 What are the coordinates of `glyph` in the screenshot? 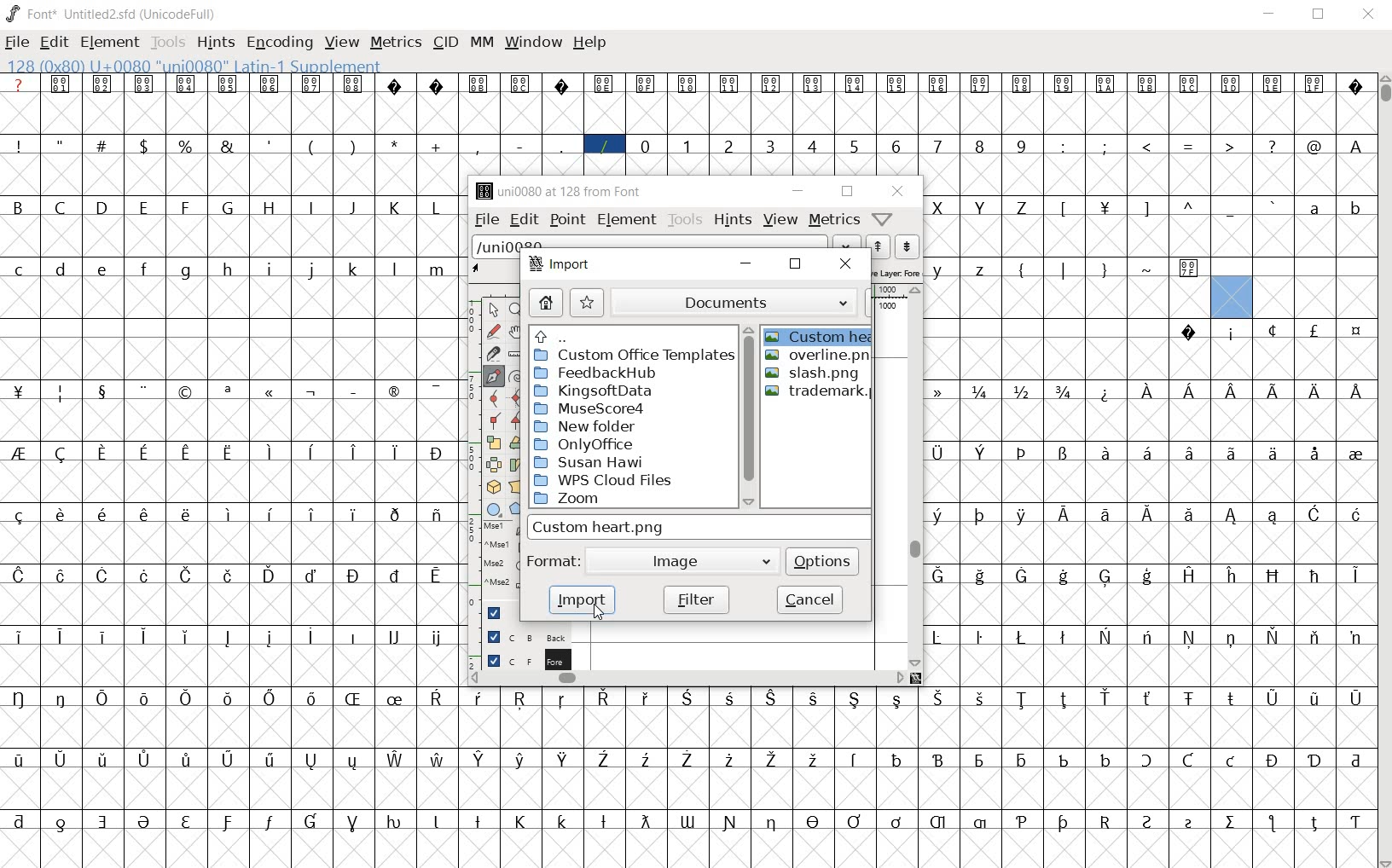 It's located at (937, 637).